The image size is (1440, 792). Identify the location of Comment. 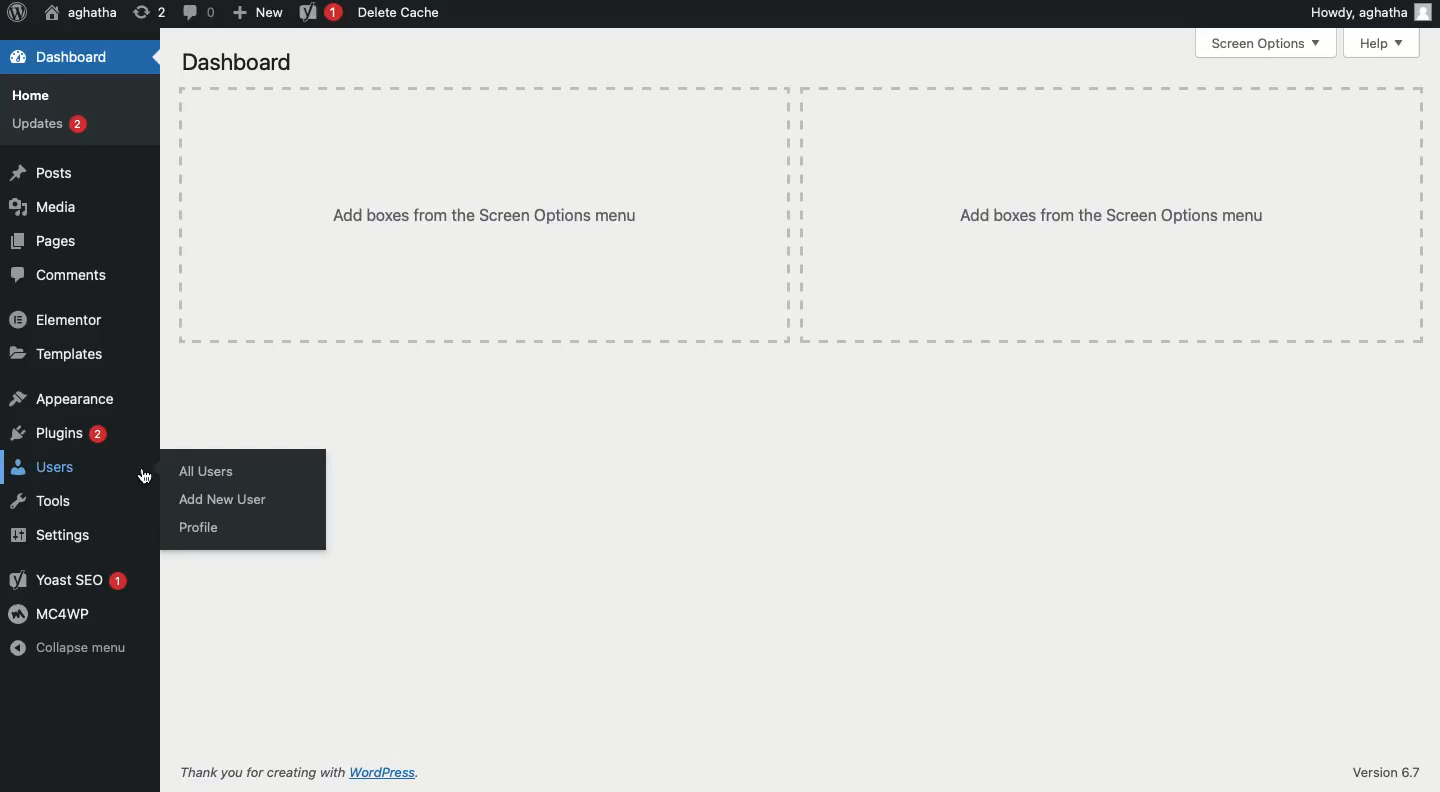
(197, 11).